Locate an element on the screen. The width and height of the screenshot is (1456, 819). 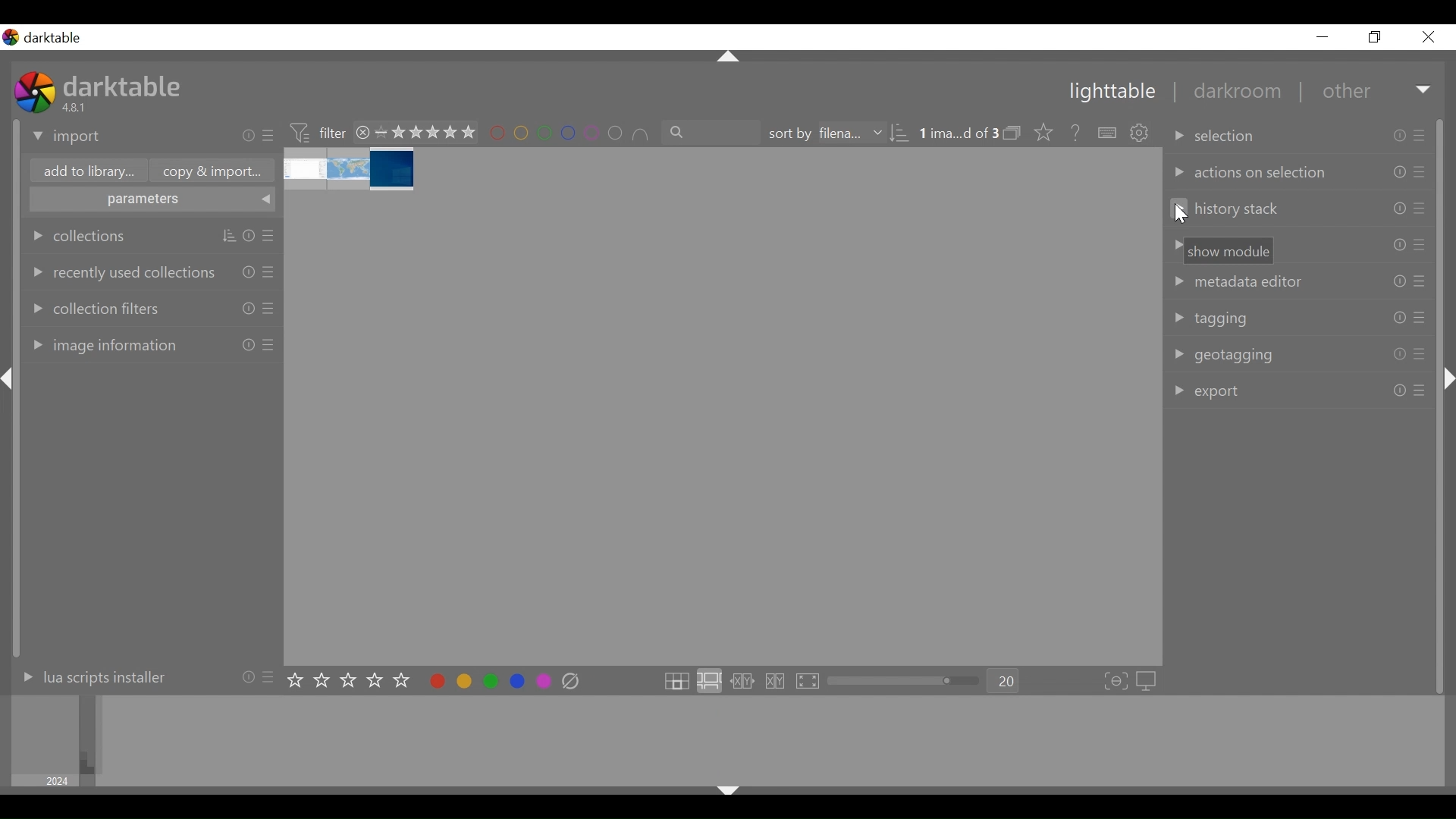
collection filters is located at coordinates (94, 306).